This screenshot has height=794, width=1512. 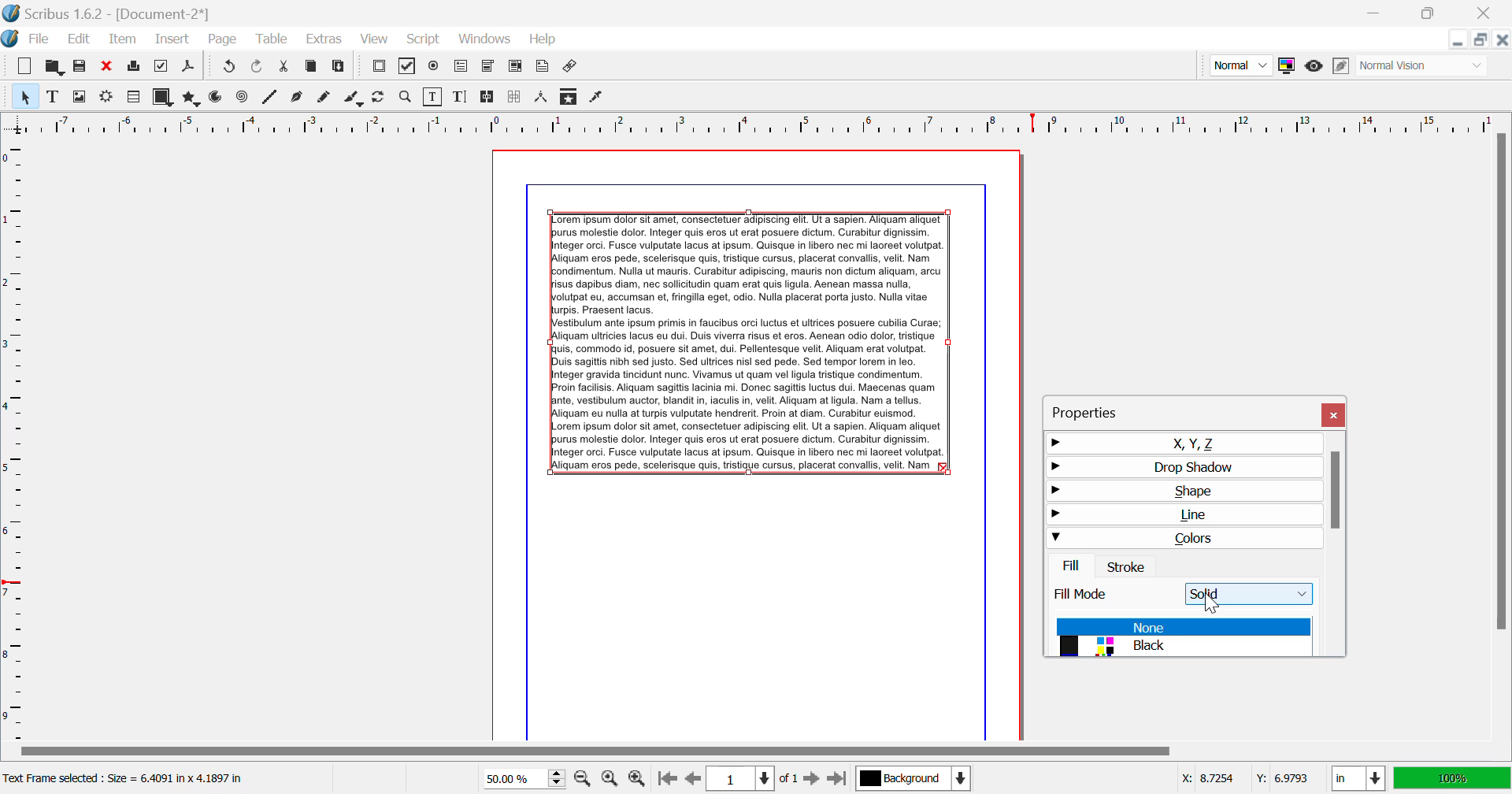 What do you see at coordinates (1488, 13) in the screenshot?
I see `Close` at bounding box center [1488, 13].